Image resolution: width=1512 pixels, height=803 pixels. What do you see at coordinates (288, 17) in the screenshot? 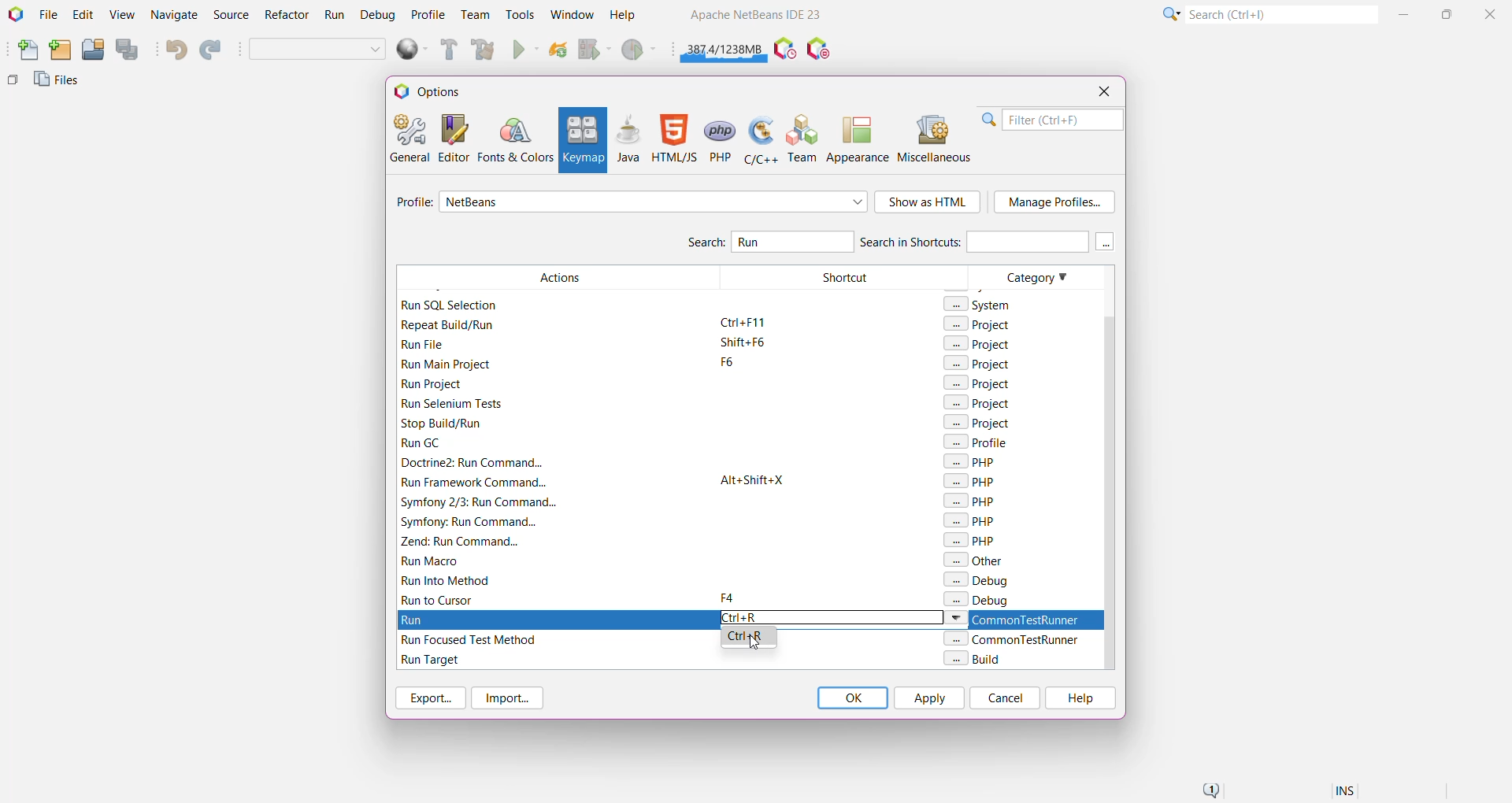
I see `Refactor` at bounding box center [288, 17].